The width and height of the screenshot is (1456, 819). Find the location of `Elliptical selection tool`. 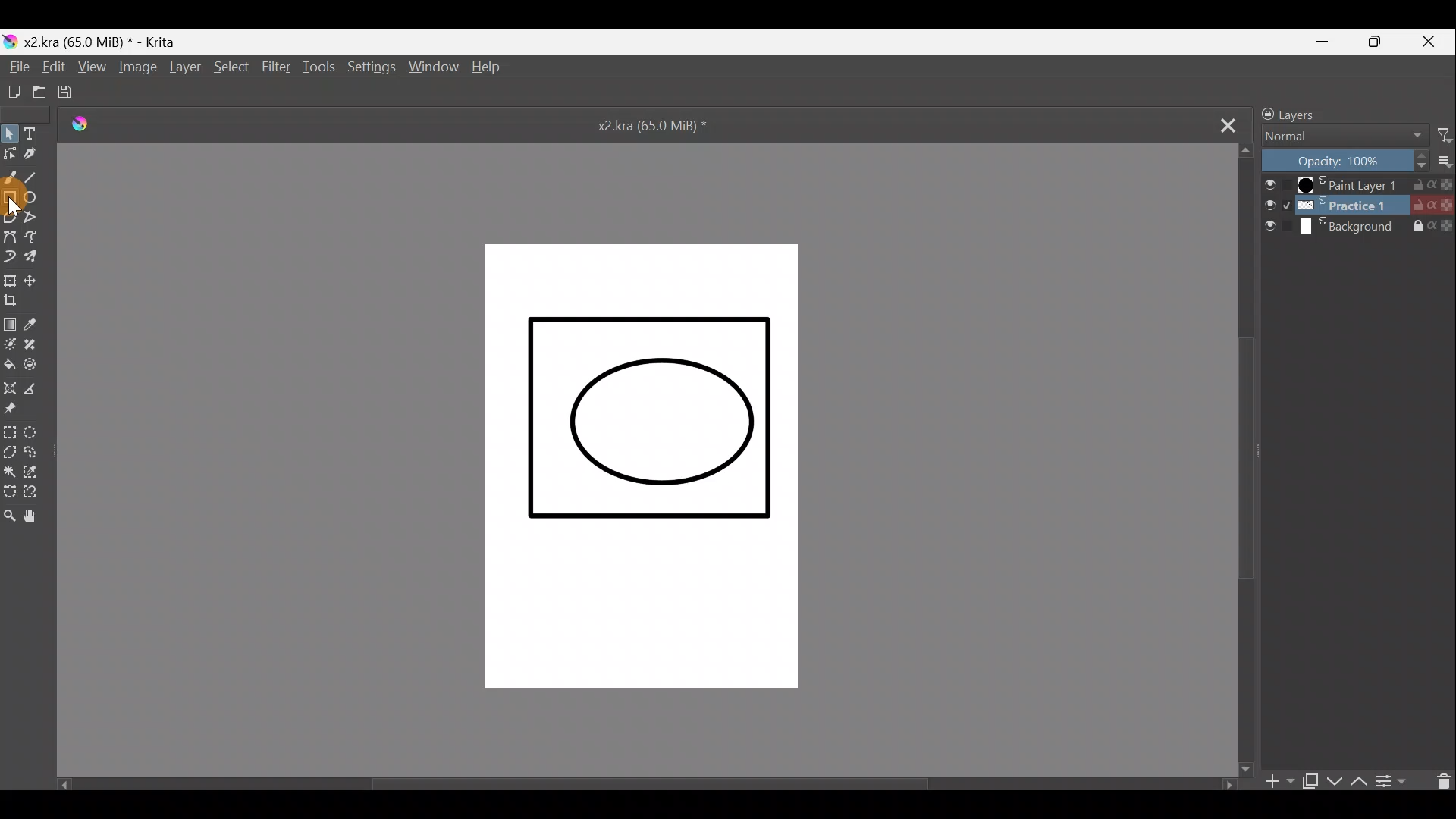

Elliptical selection tool is located at coordinates (39, 434).